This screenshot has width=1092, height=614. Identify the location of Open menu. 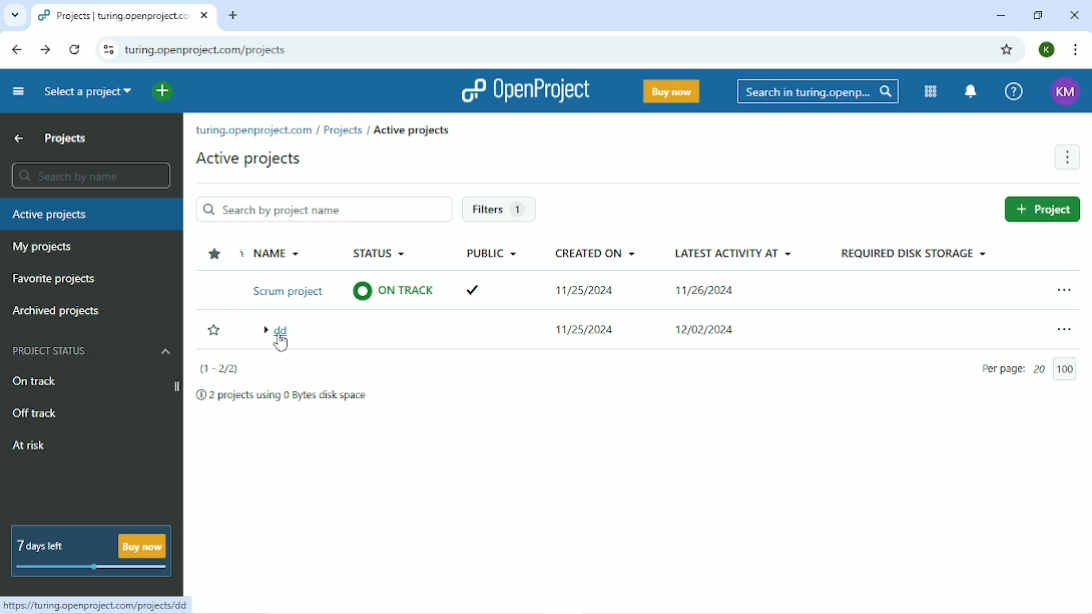
(1059, 287).